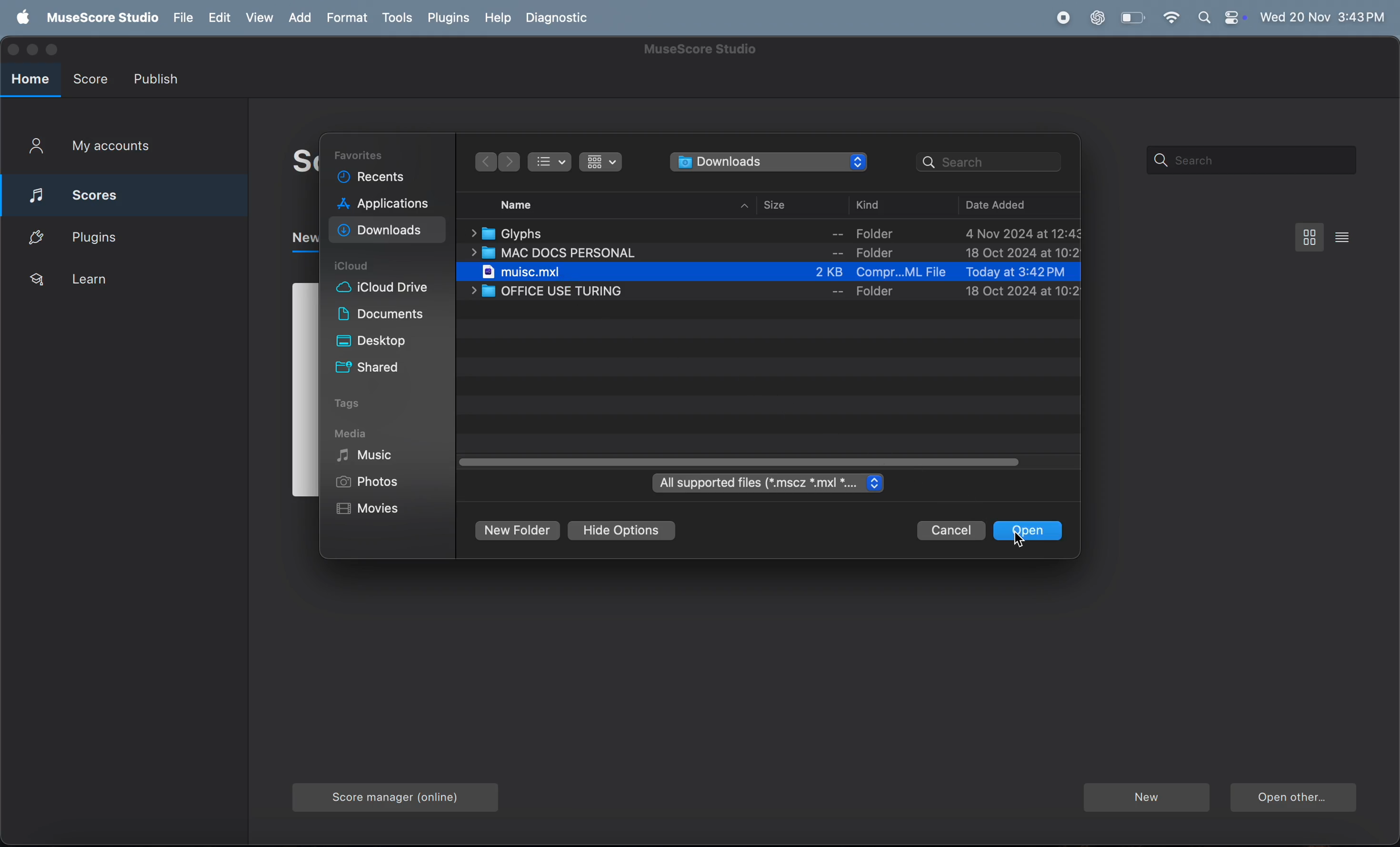 The image size is (1400, 847). I want to click on apple menu, so click(21, 16).